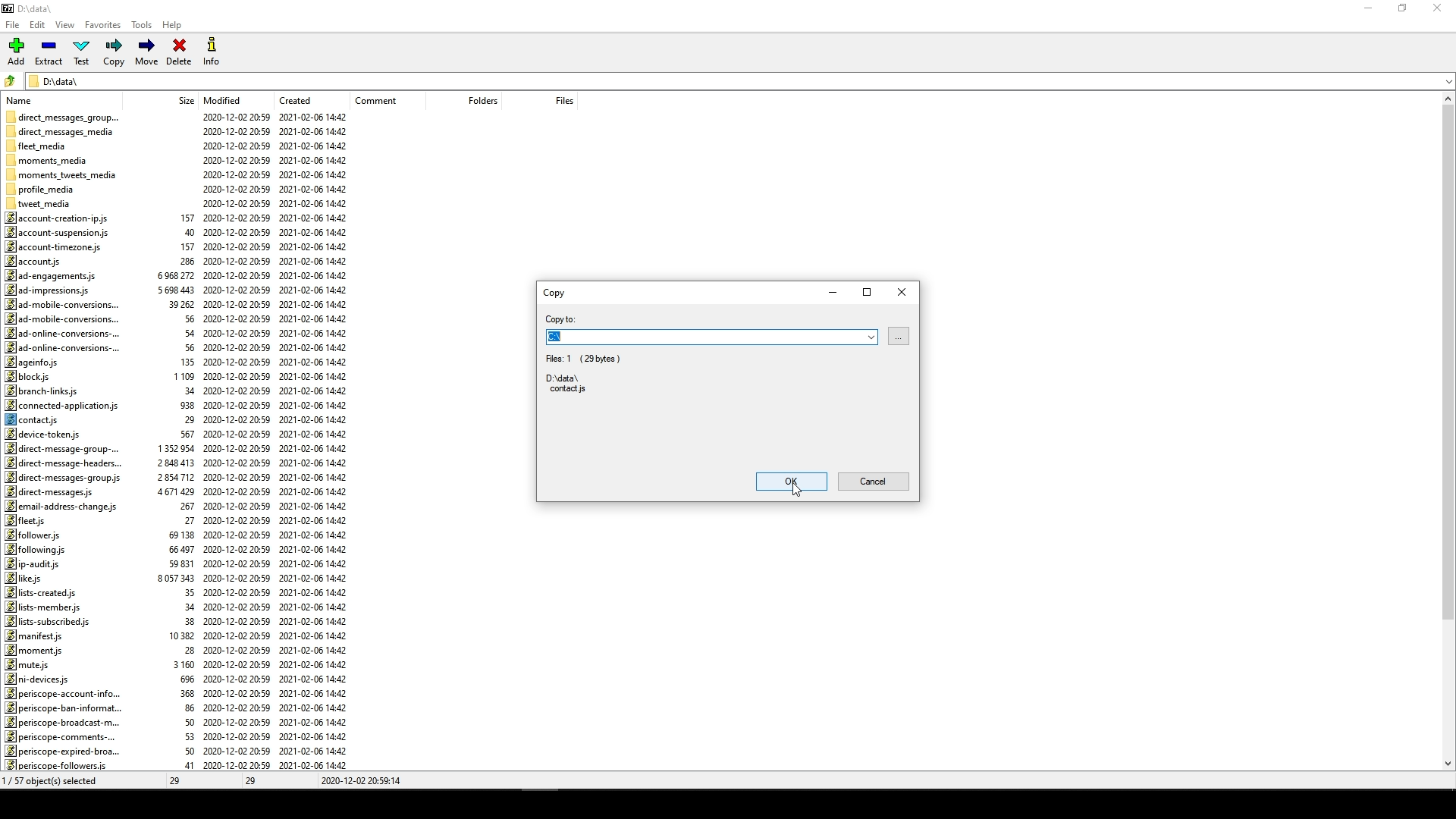 This screenshot has width=1456, height=819. I want to click on folder, so click(11, 79).